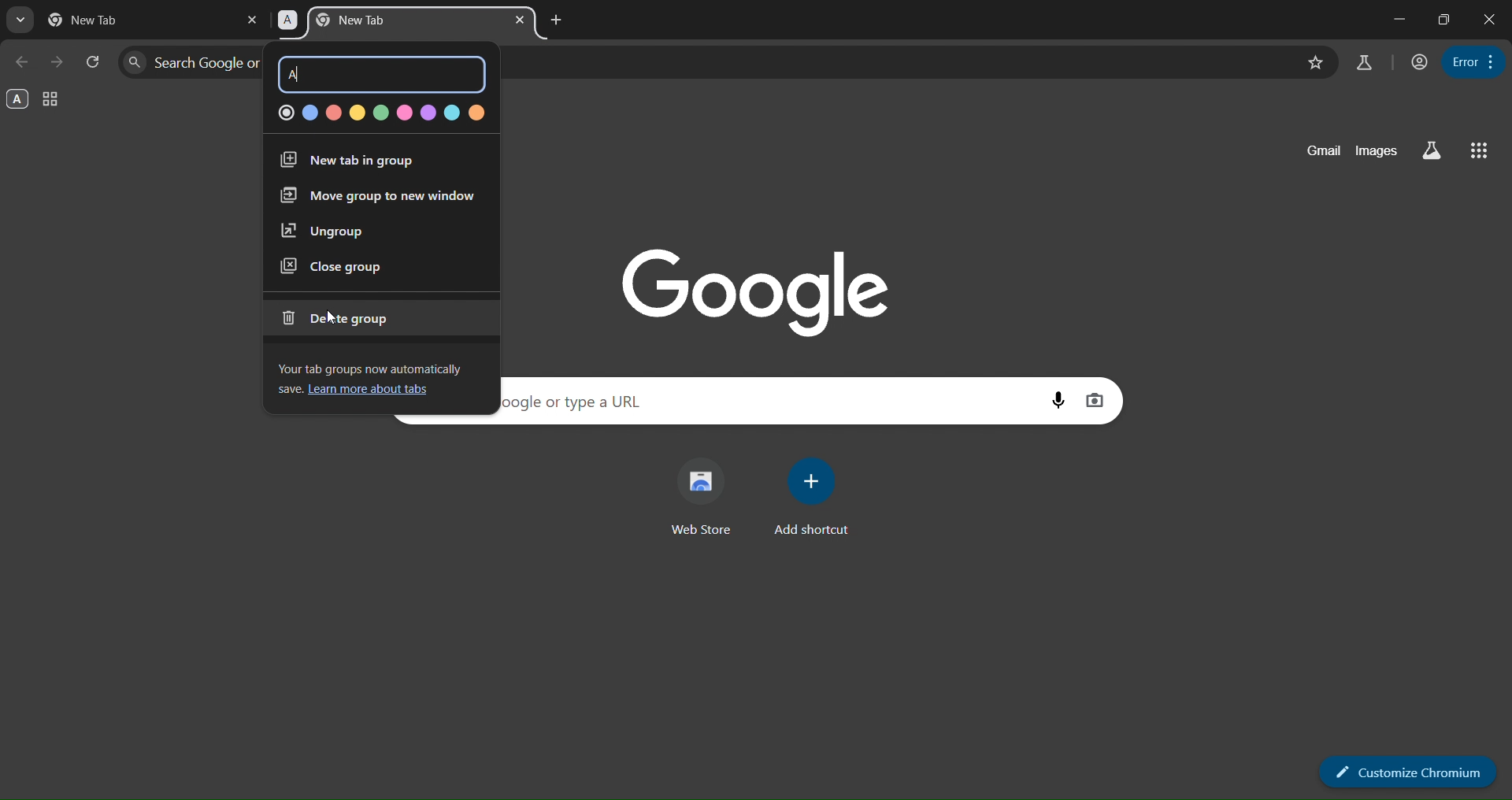  Describe the element at coordinates (385, 22) in the screenshot. I see `tab group` at that location.